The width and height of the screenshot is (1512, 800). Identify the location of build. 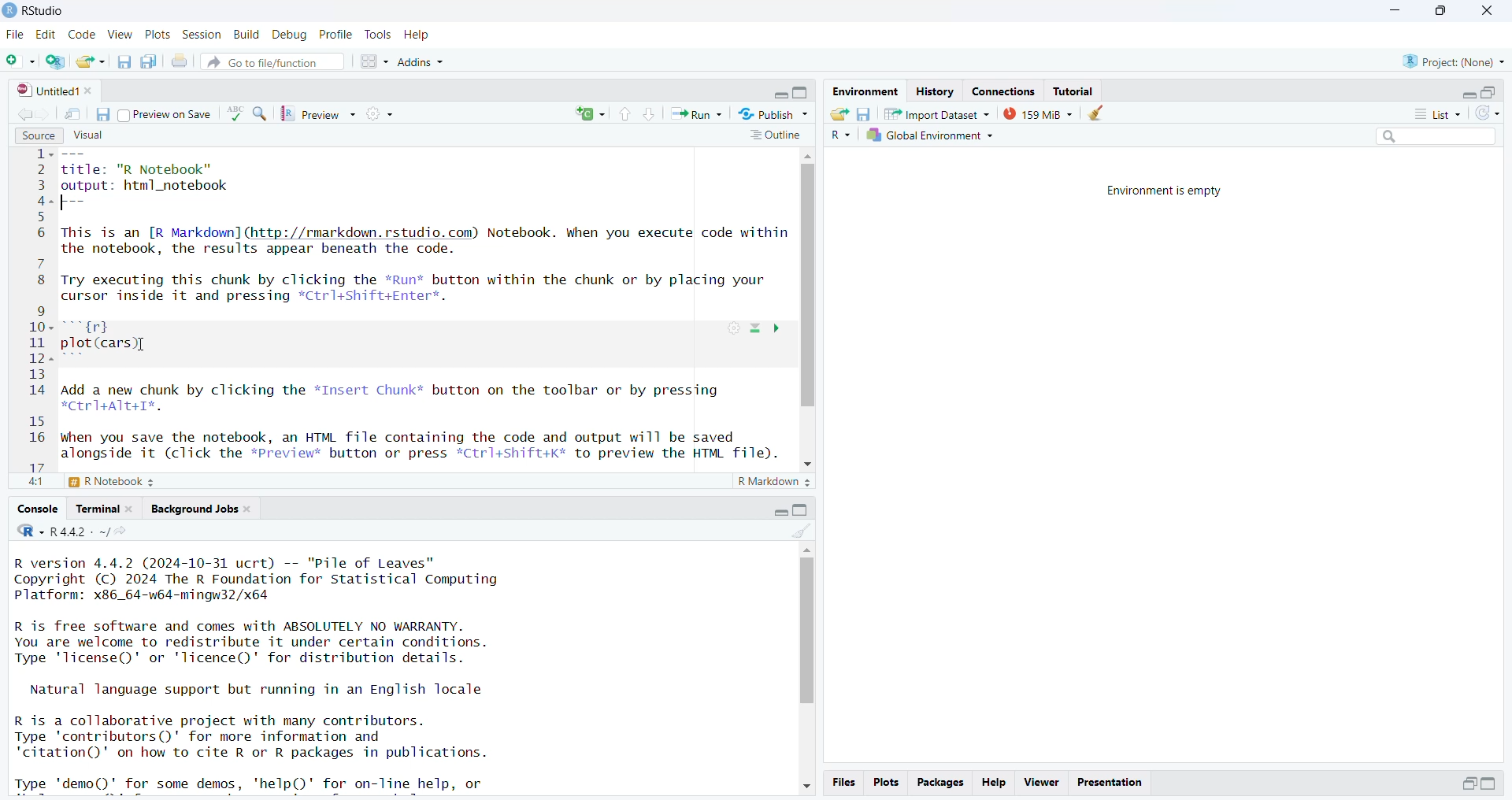
(248, 35).